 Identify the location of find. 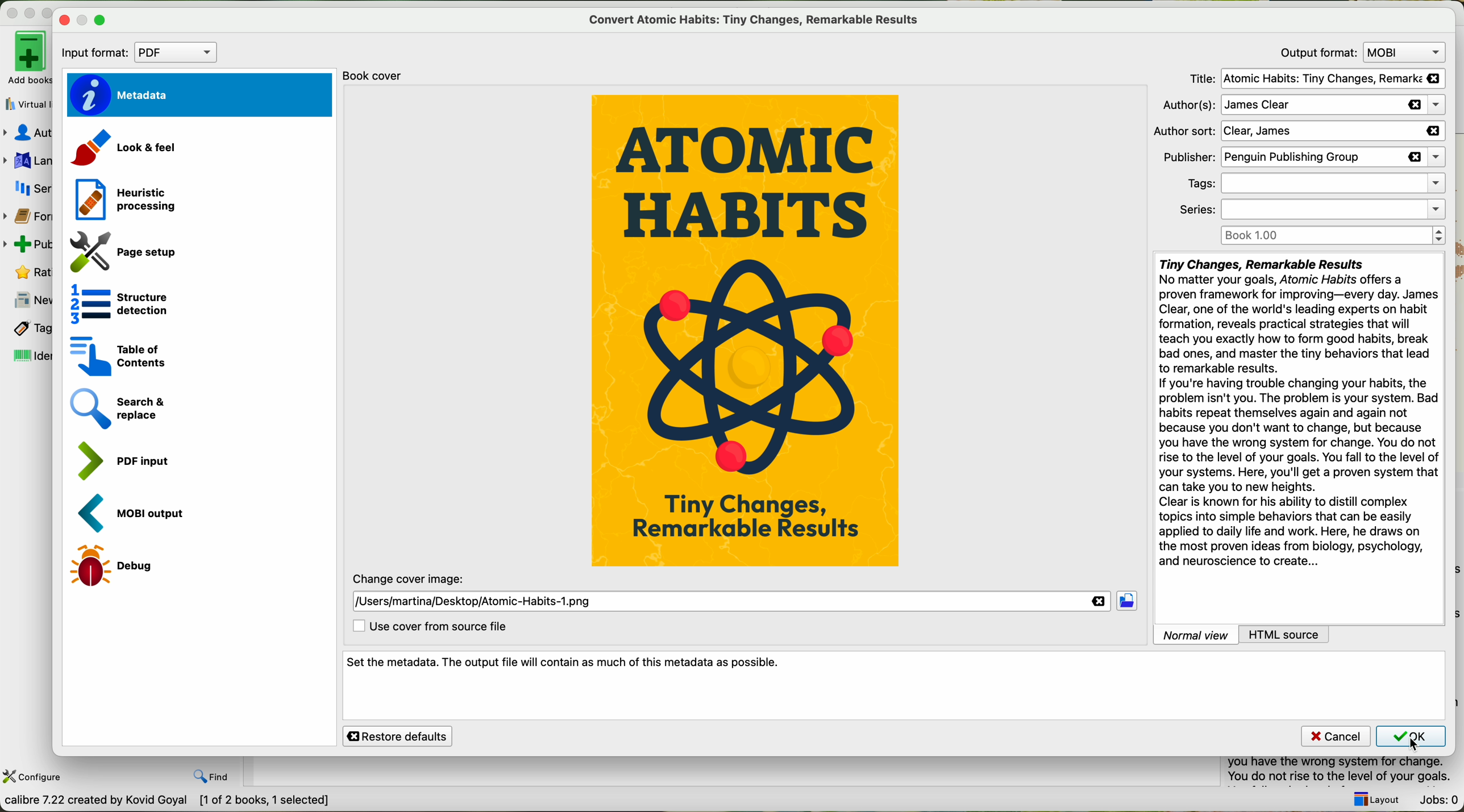
(214, 777).